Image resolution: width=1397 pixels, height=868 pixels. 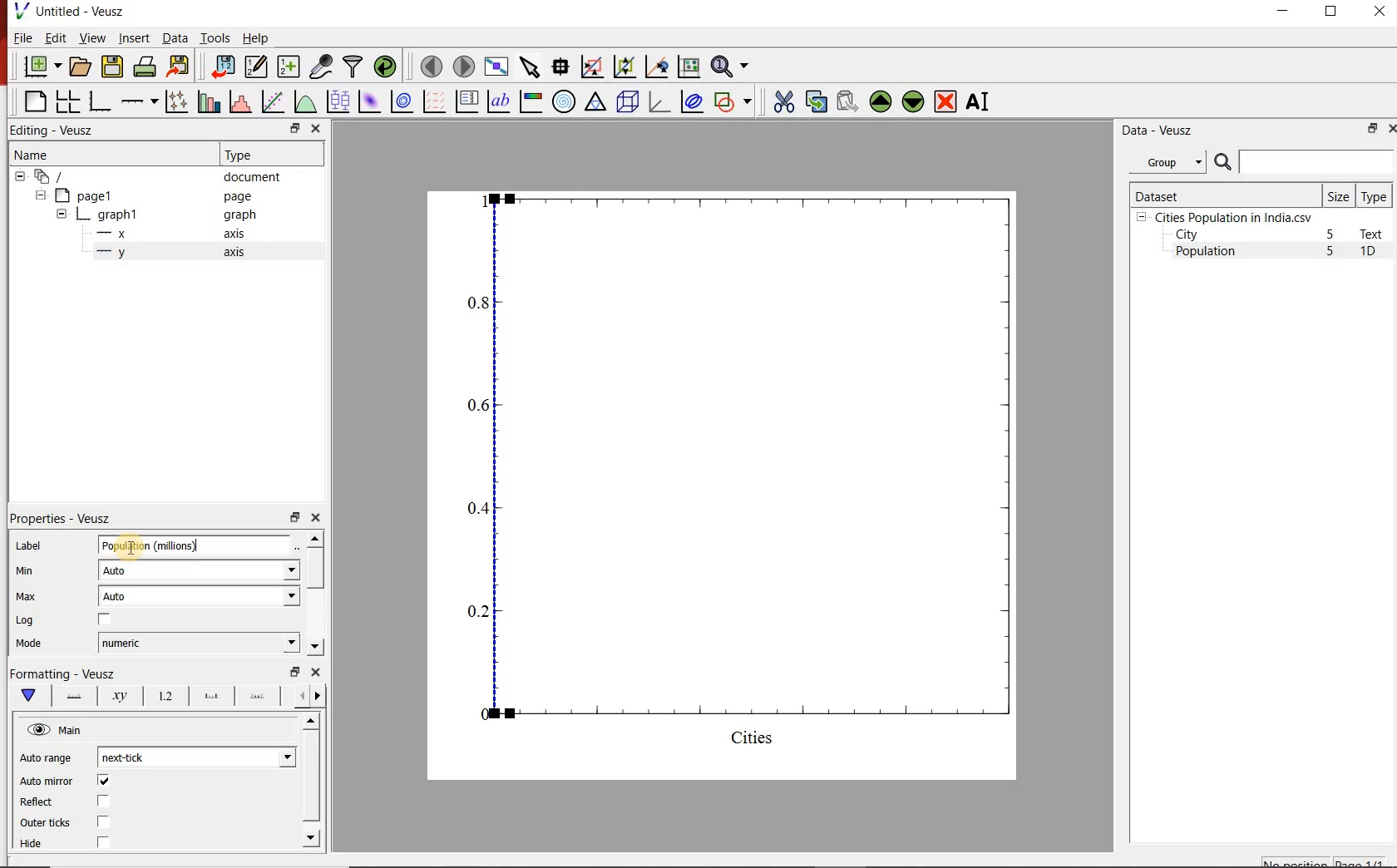 I want to click on Outer ticks, so click(x=44, y=822).